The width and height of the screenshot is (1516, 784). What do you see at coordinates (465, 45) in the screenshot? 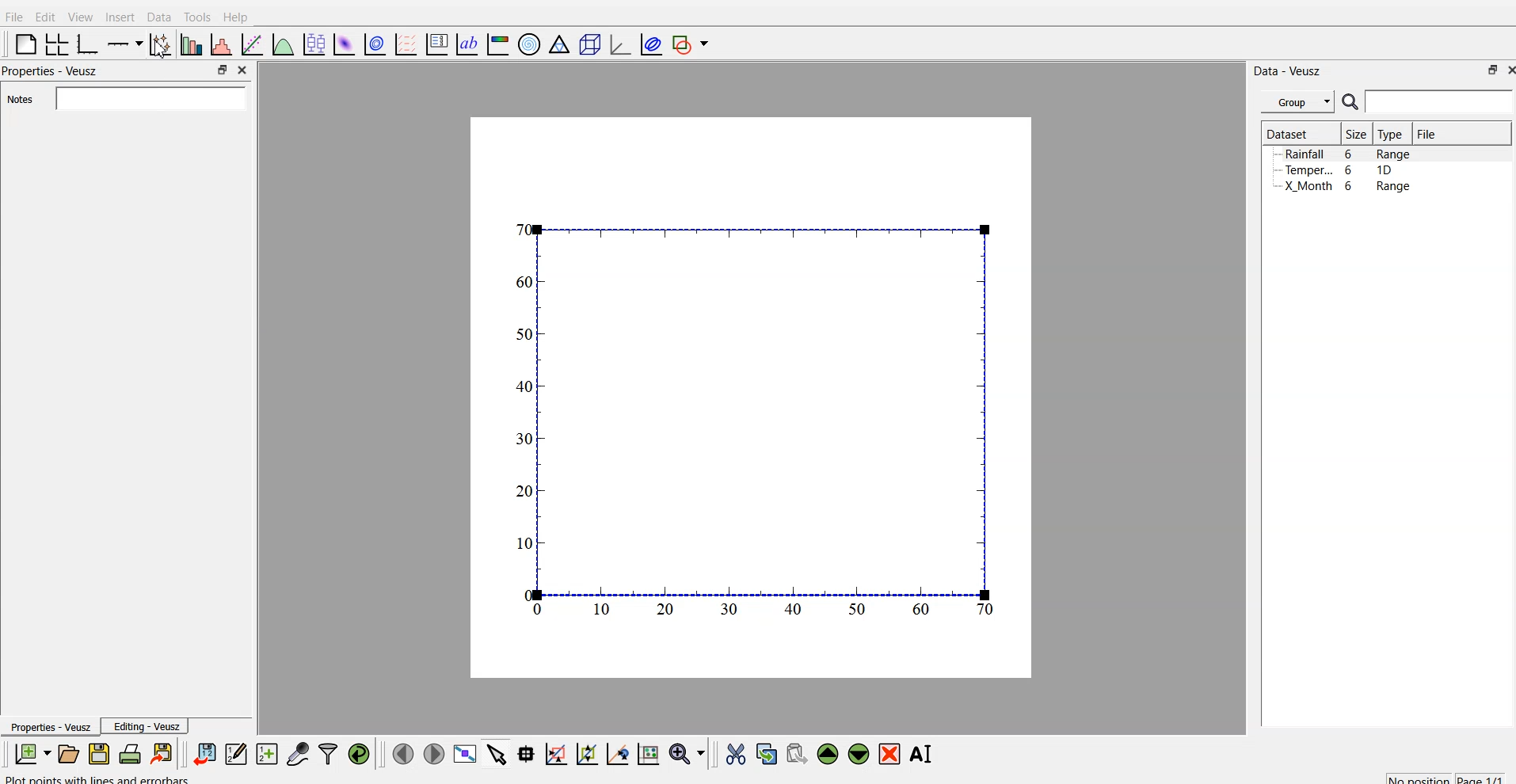
I see `text label` at bounding box center [465, 45].